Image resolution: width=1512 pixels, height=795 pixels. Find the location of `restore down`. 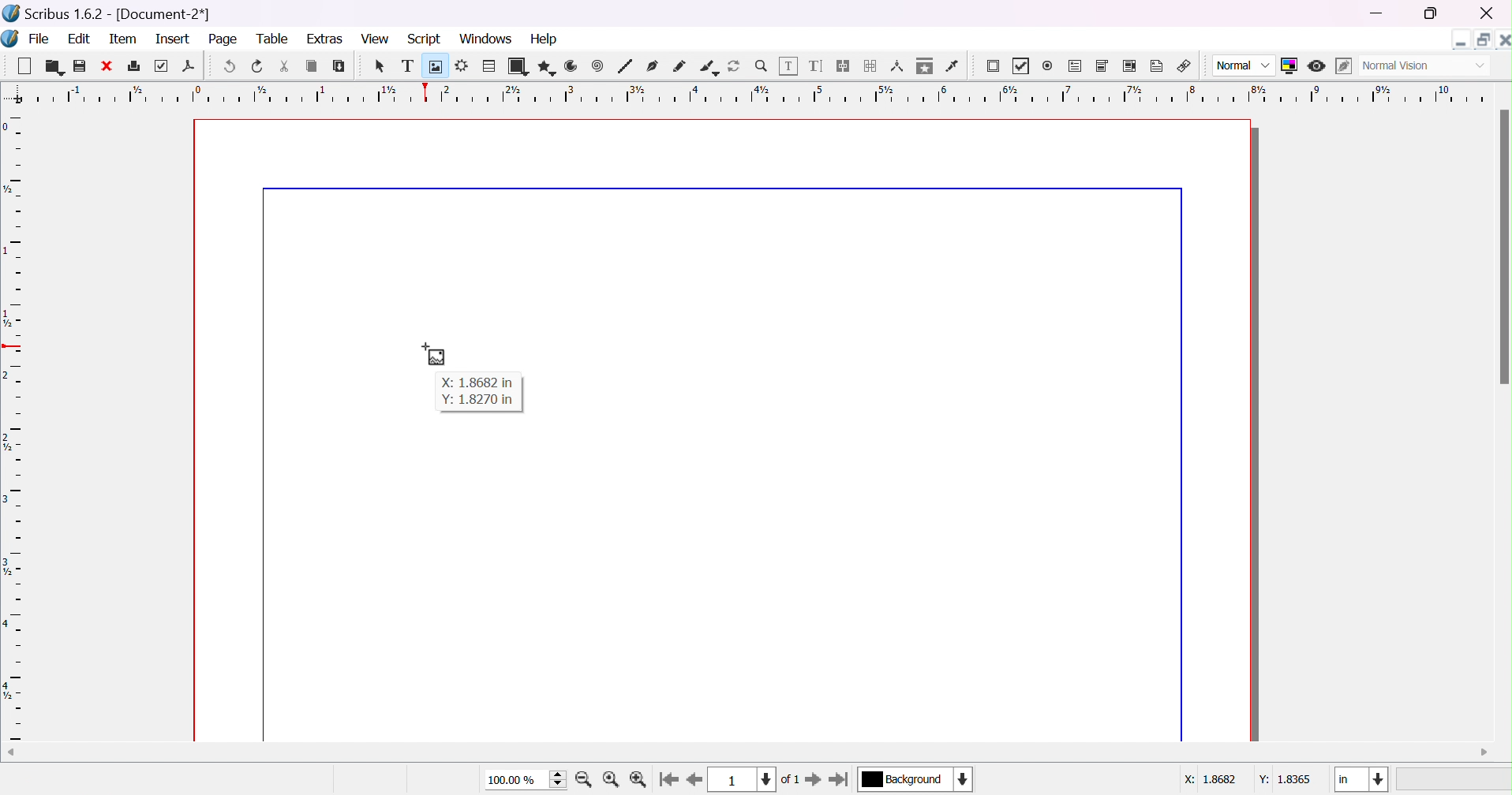

restore down is located at coordinates (1480, 36).